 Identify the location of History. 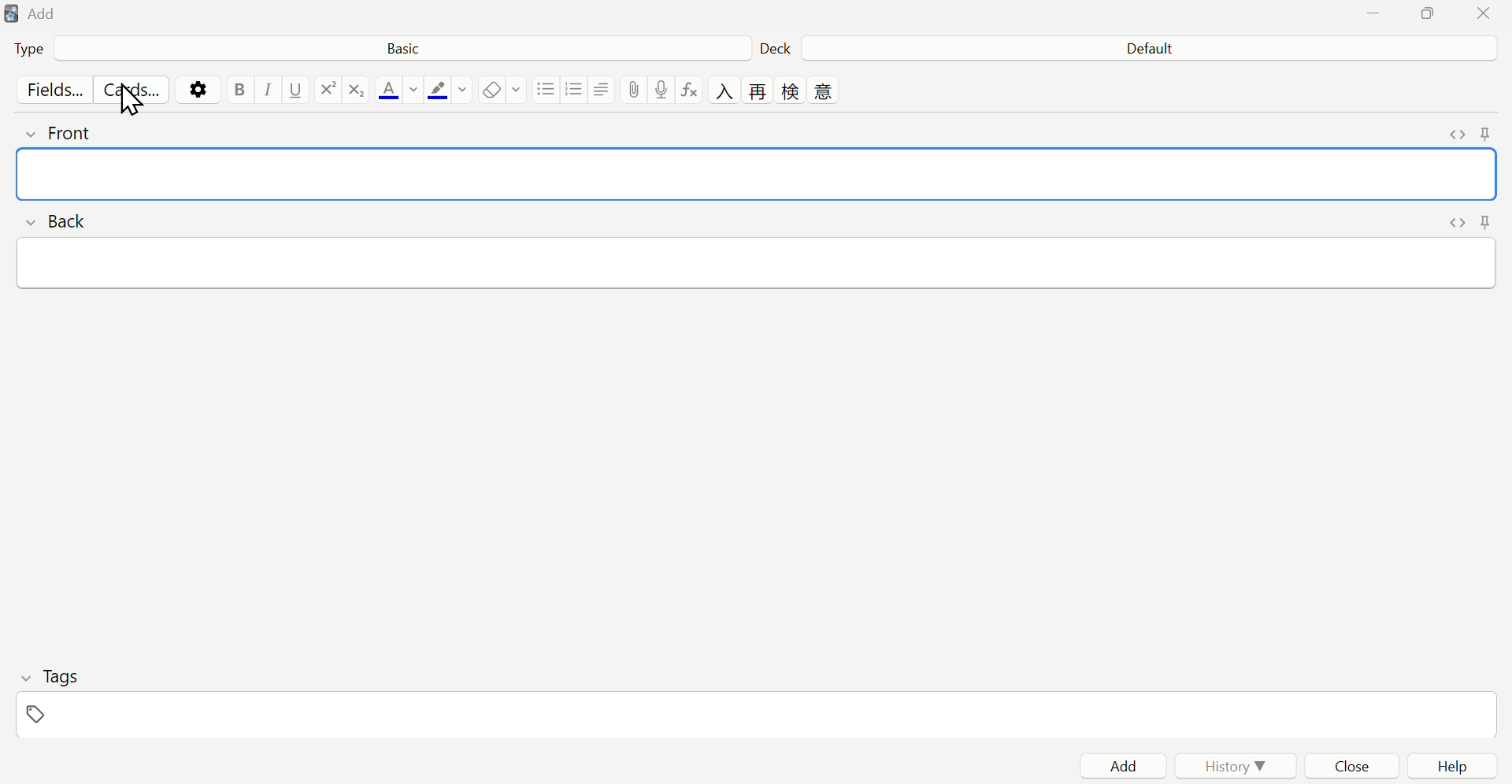
(1234, 766).